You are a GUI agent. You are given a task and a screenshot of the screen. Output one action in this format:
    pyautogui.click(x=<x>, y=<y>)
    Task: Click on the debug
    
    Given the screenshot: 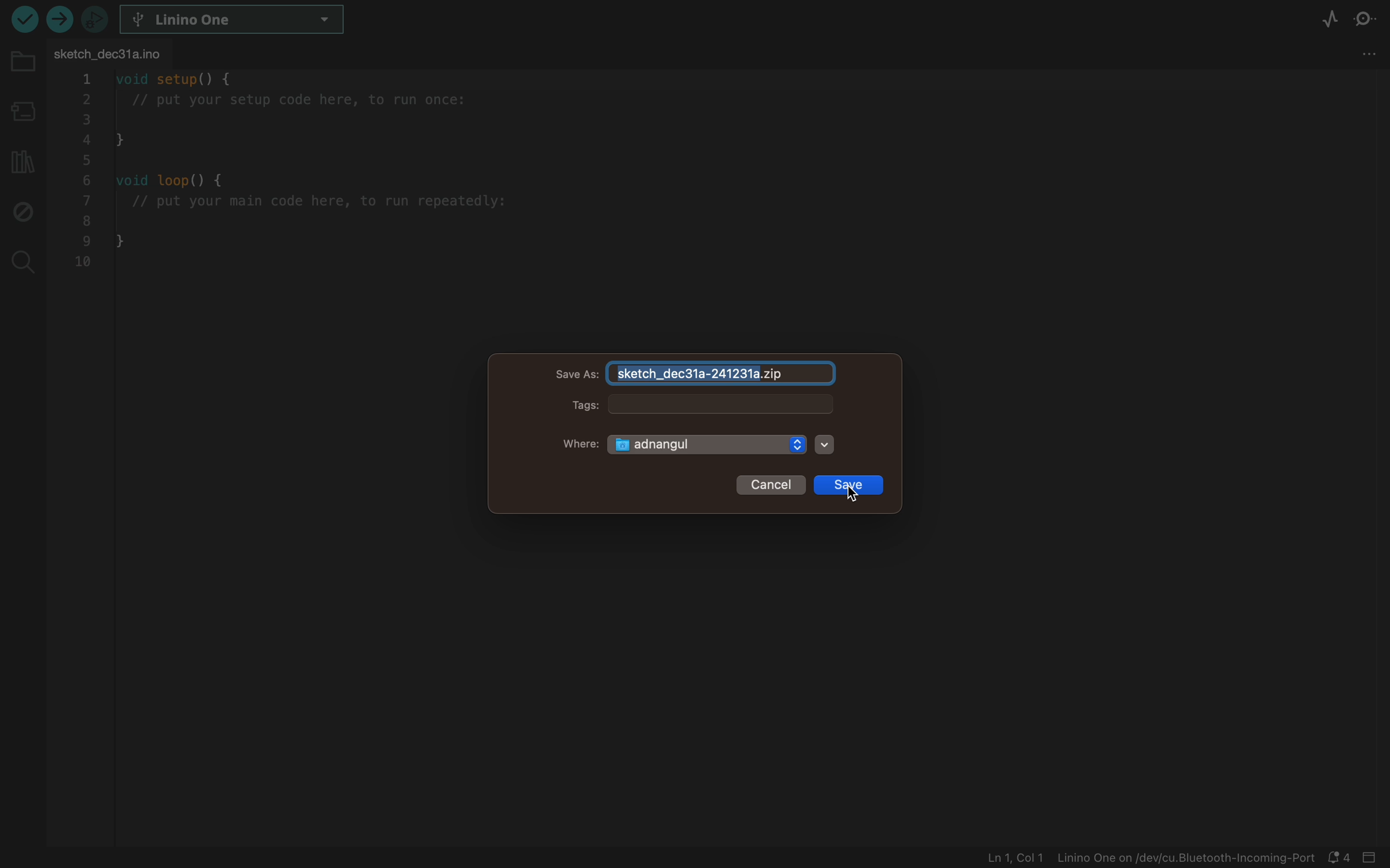 What is the action you would take?
    pyautogui.click(x=24, y=211)
    